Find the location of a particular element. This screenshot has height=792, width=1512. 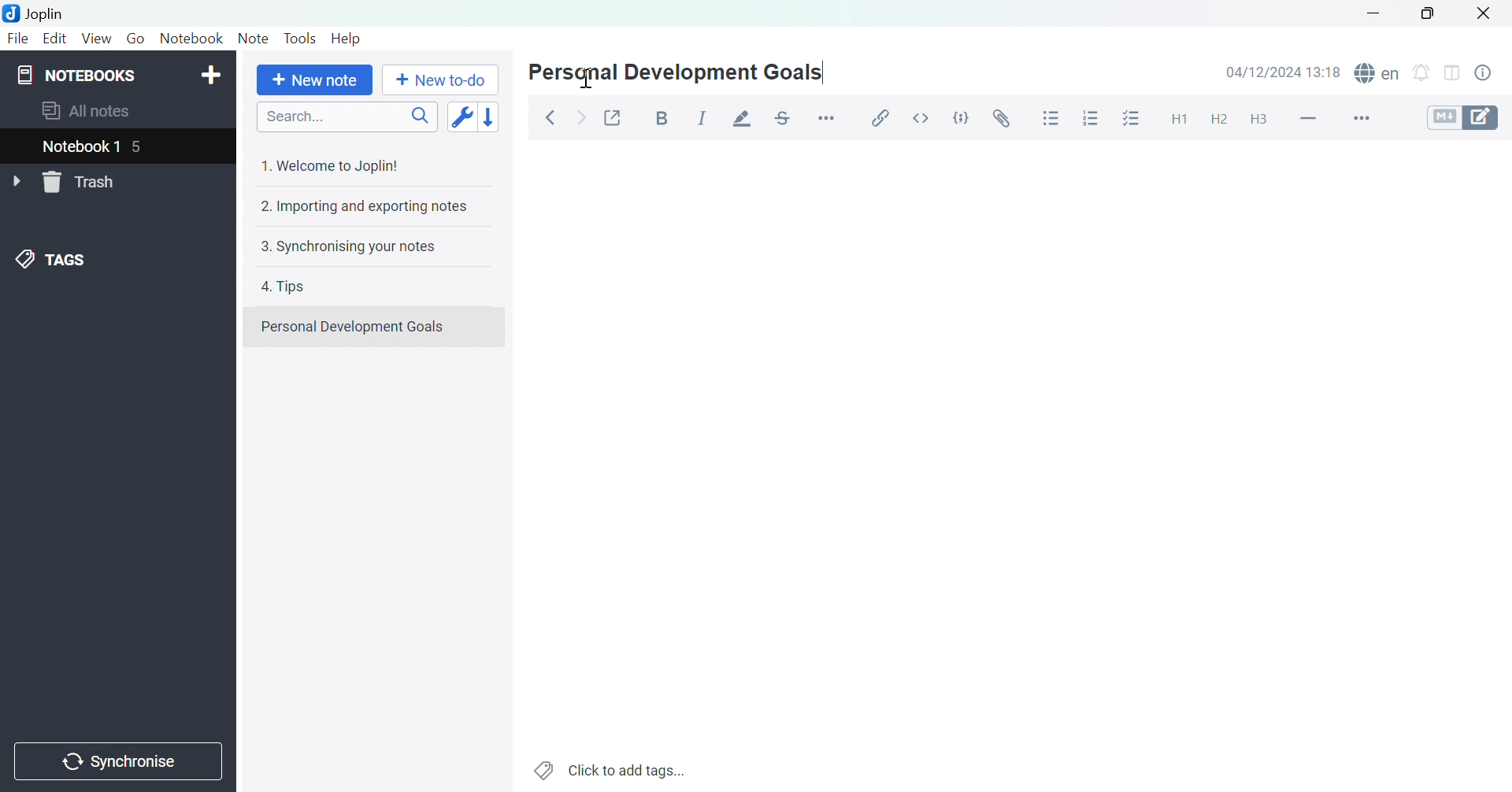

Numbered list is located at coordinates (1089, 119).